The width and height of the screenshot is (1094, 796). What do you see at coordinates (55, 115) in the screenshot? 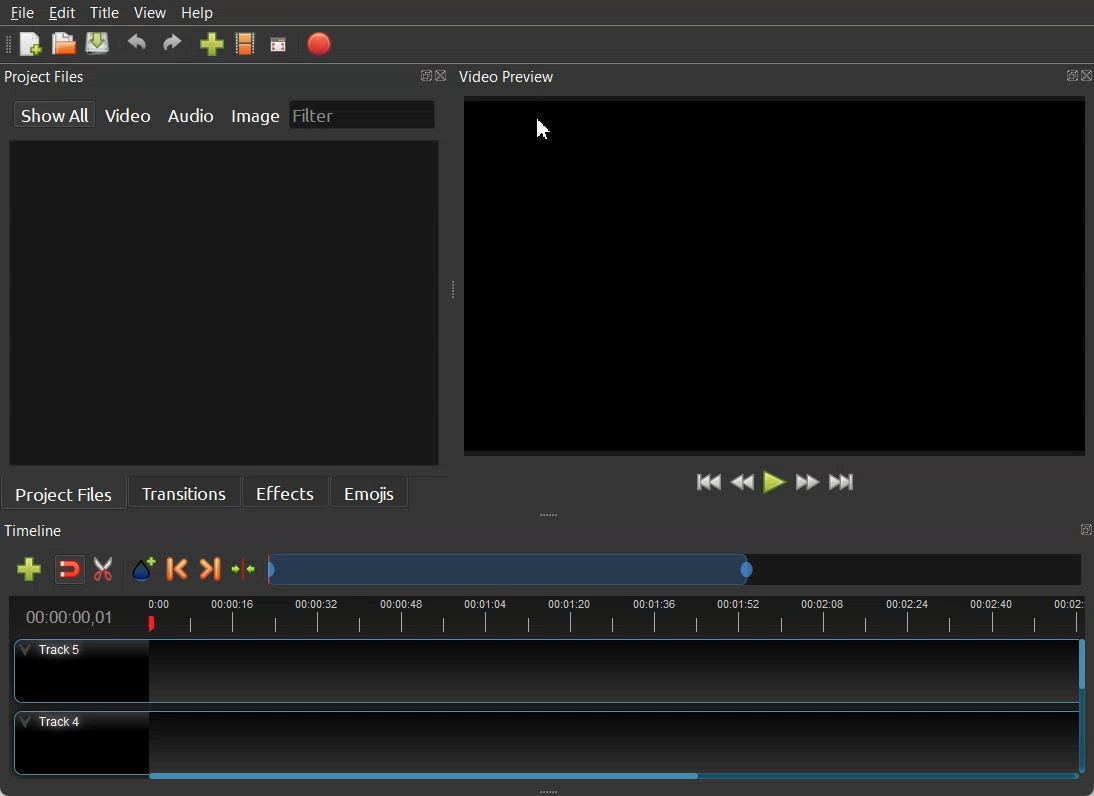
I see `show All` at bounding box center [55, 115].